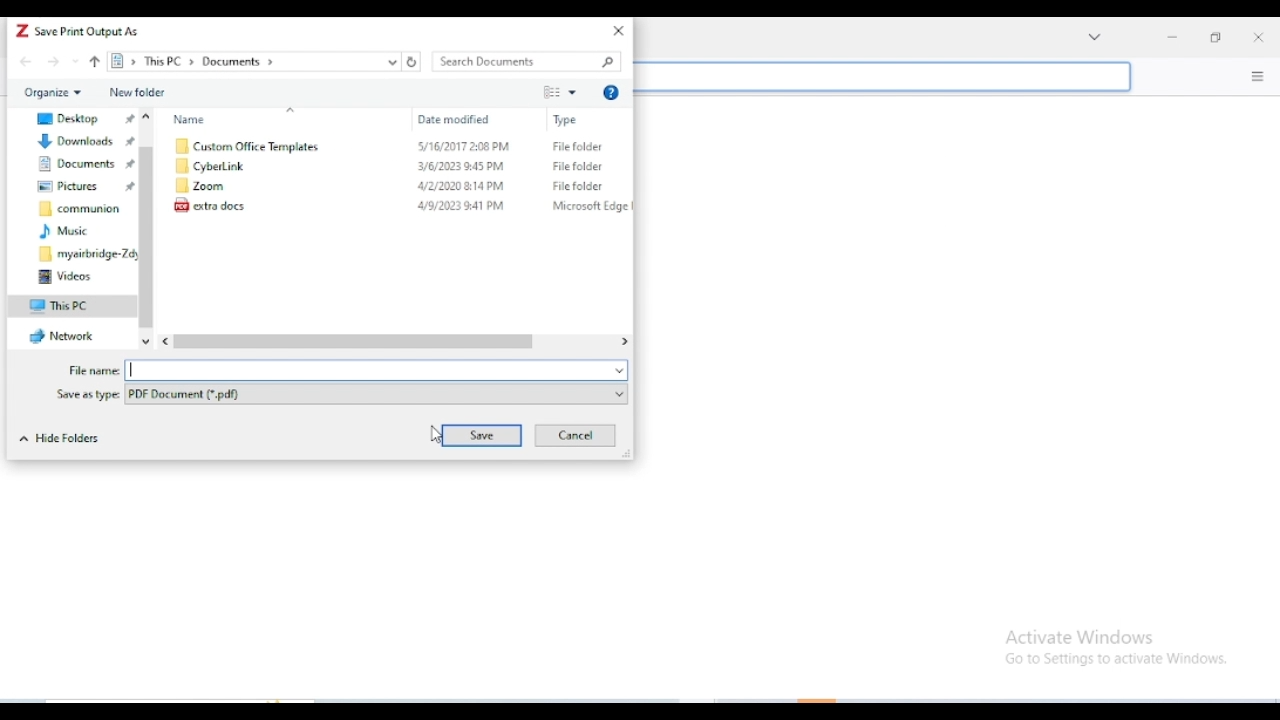 The width and height of the screenshot is (1280, 720). I want to click on pinned pictures, so click(84, 185).